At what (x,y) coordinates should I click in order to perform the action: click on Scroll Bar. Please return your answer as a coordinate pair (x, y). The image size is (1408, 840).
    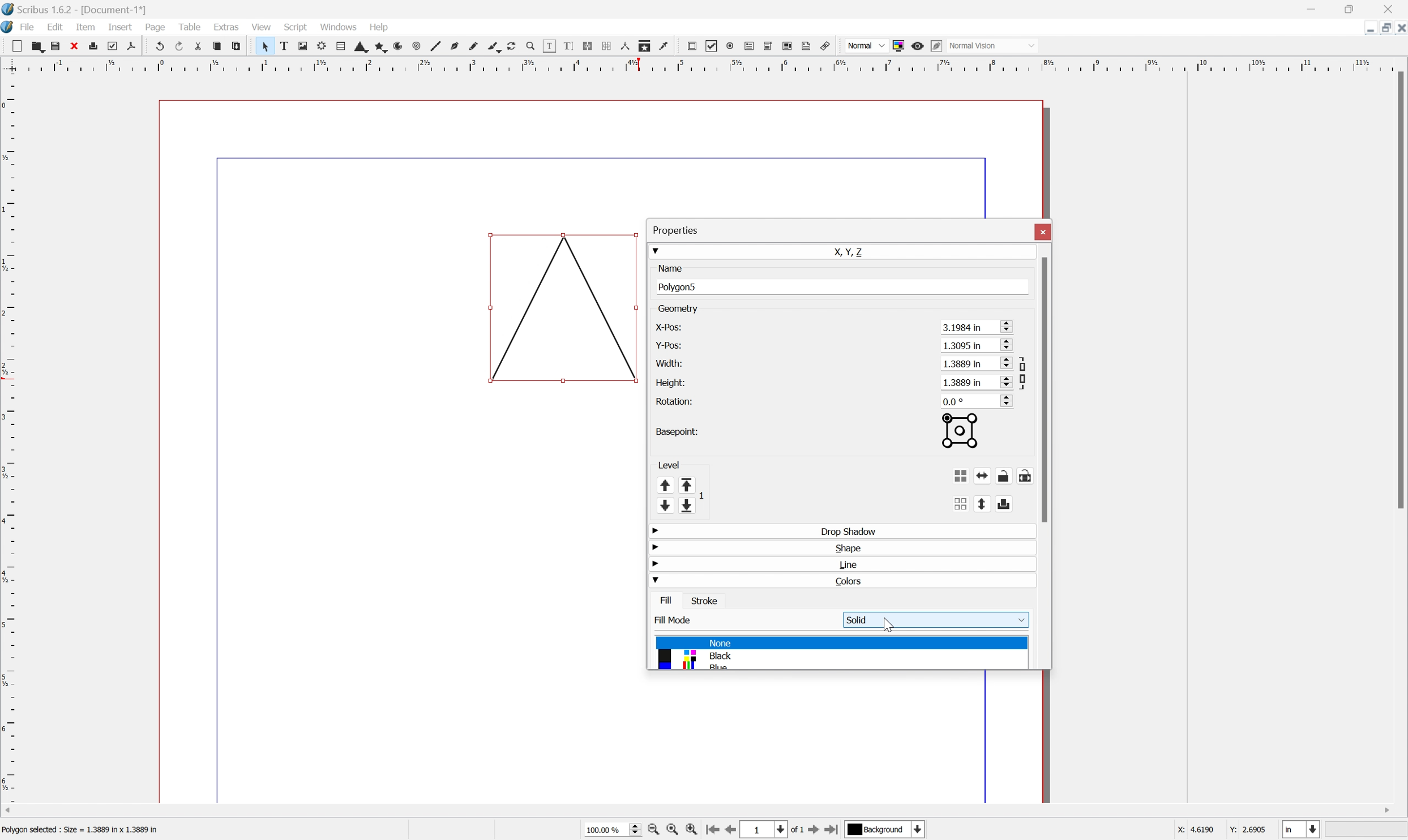
    Looking at the image, I should click on (1399, 290).